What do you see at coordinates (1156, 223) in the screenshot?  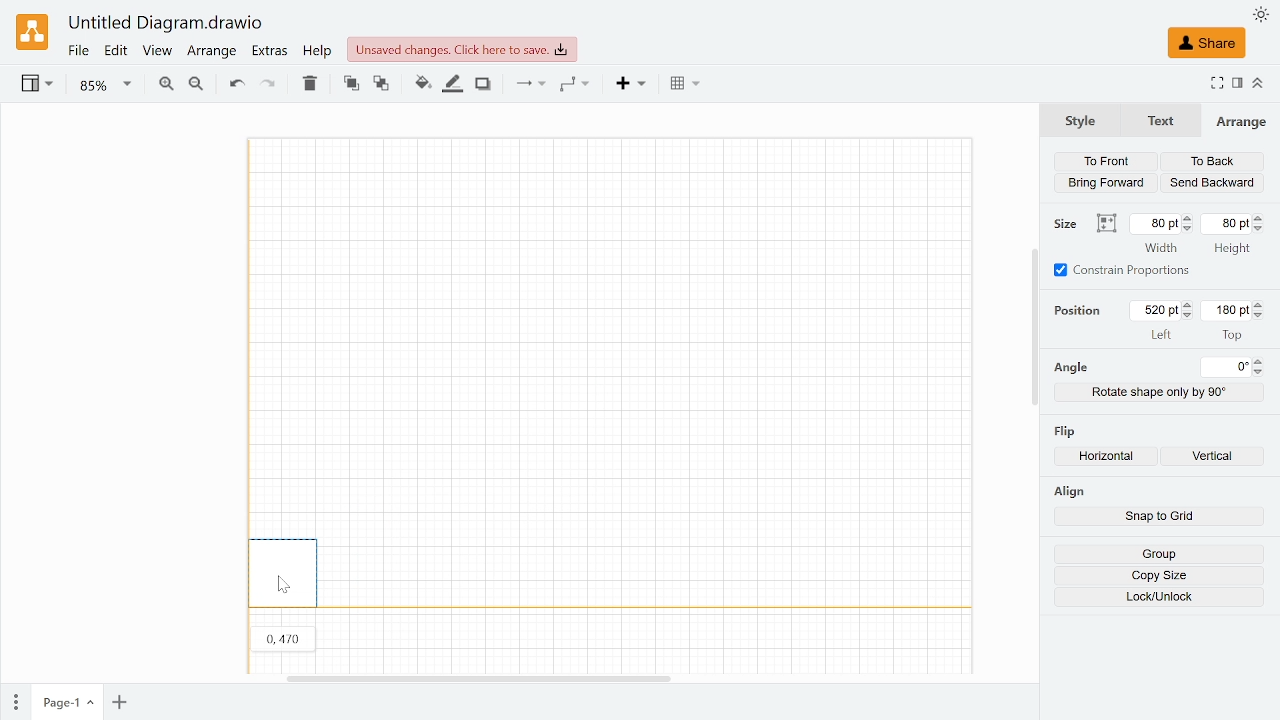 I see `Current width` at bounding box center [1156, 223].